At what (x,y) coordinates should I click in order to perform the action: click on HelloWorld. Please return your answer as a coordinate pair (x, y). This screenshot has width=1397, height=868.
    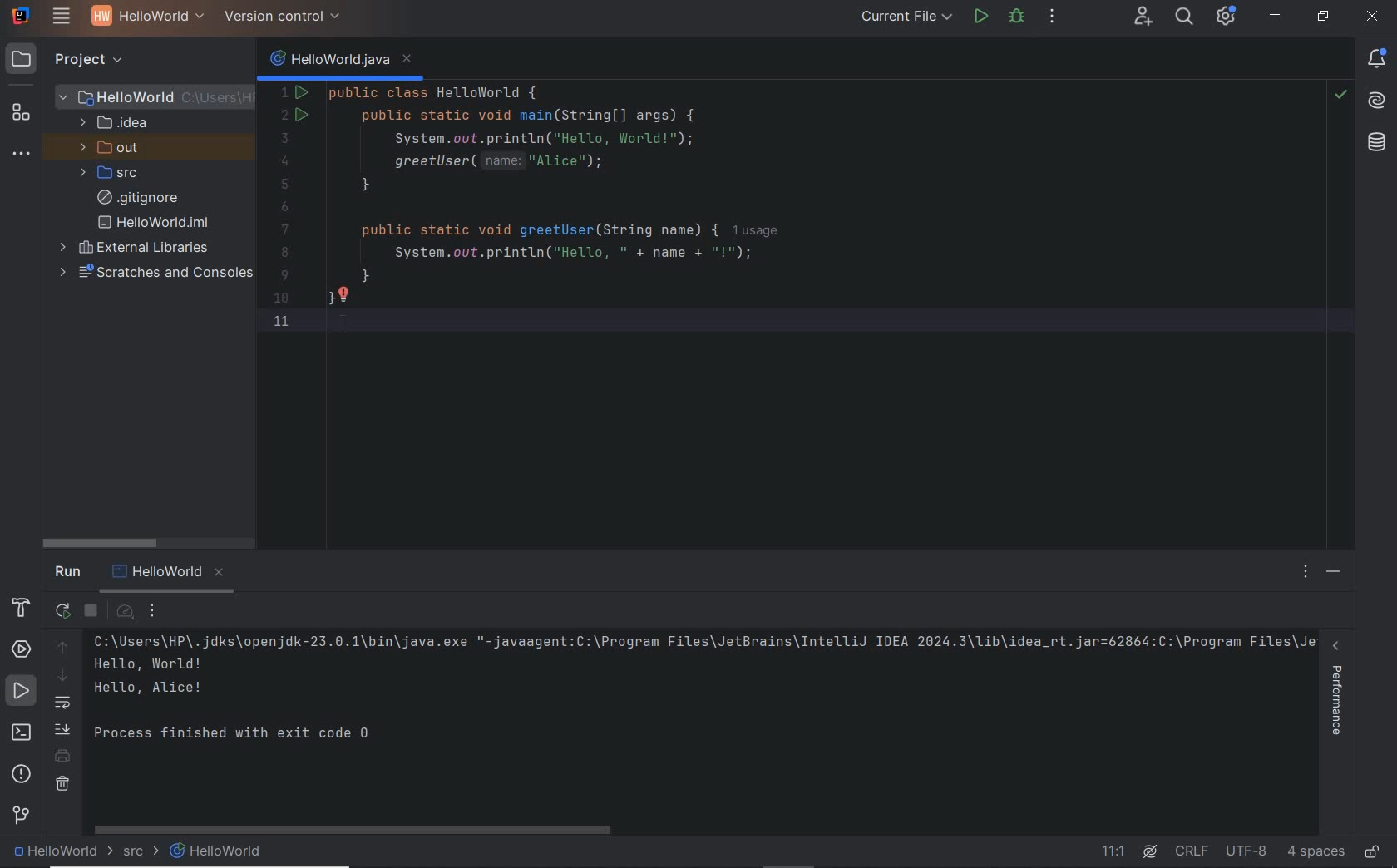
    Looking at the image, I should click on (63, 853).